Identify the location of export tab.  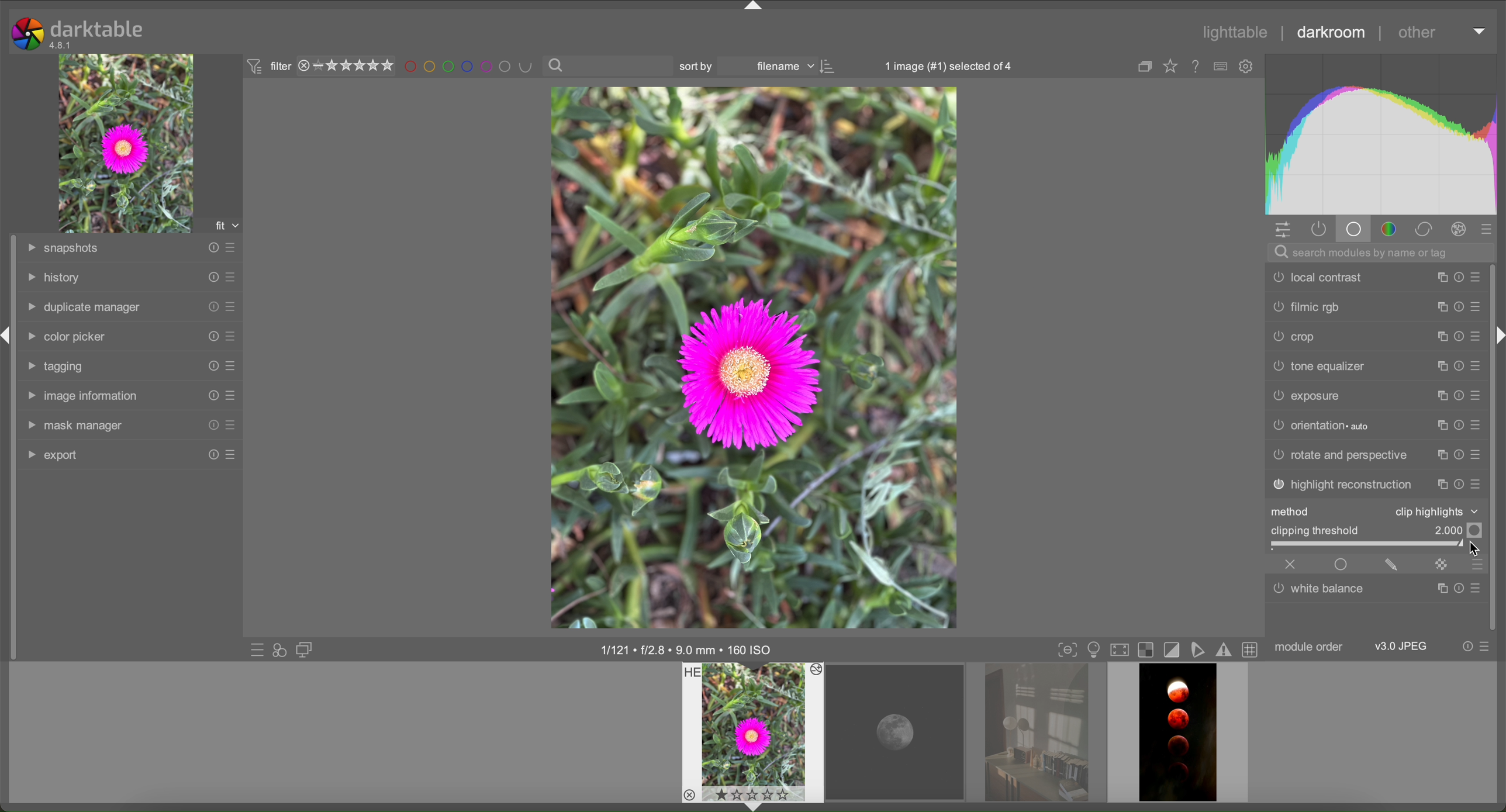
(53, 454).